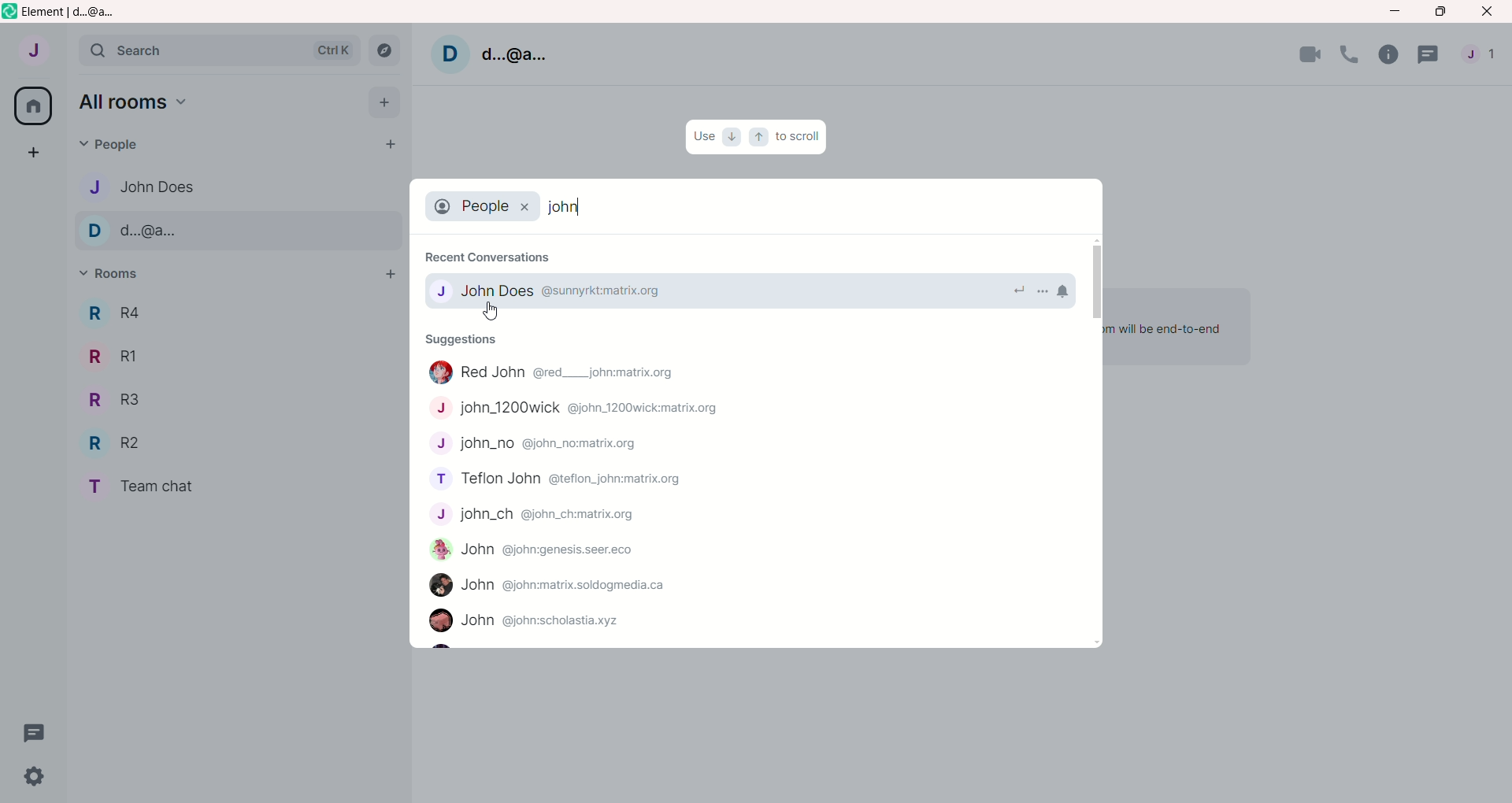 The image size is (1512, 803). I want to click on down arrow, so click(730, 139).